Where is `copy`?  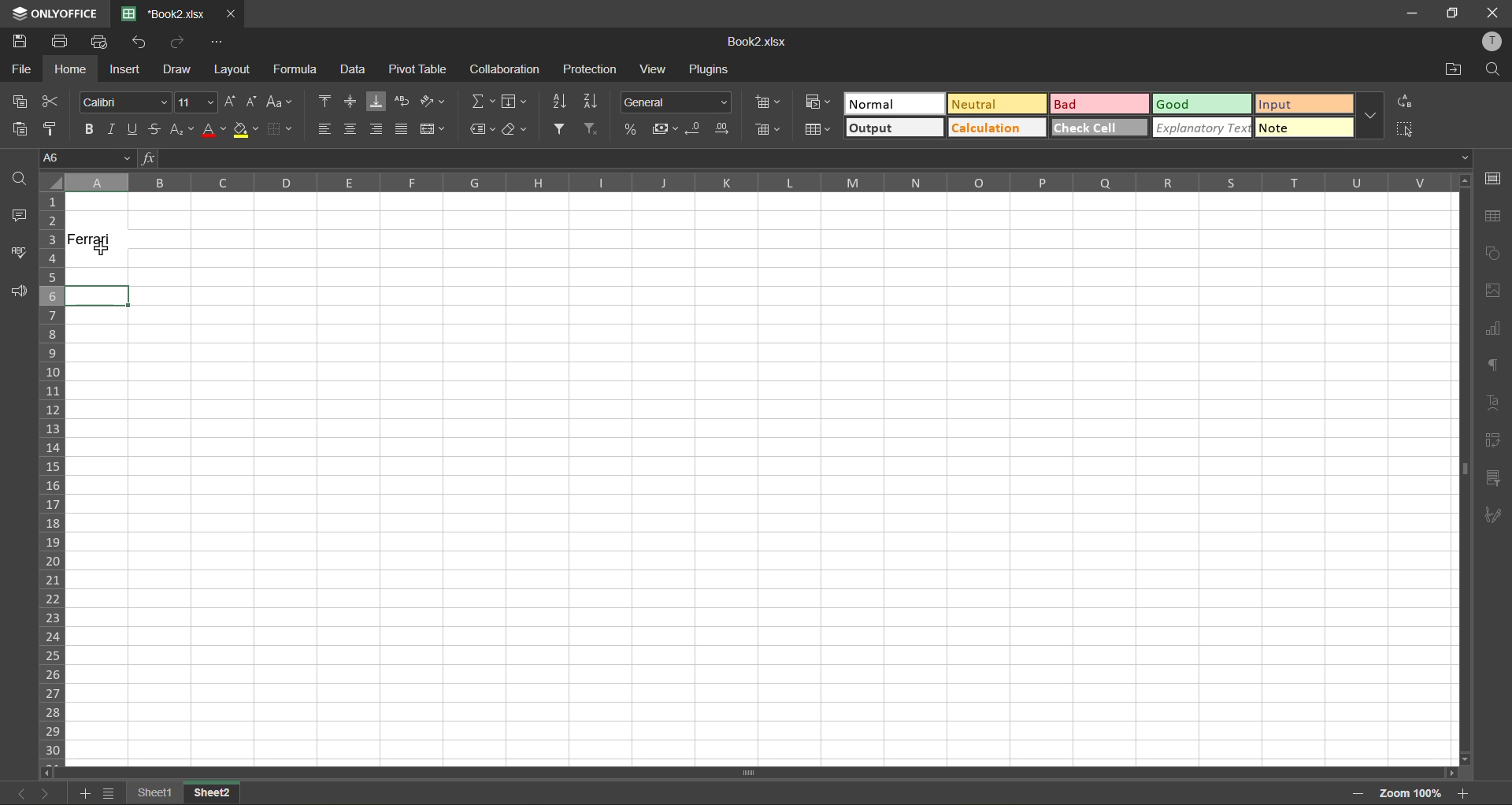 copy is located at coordinates (21, 101).